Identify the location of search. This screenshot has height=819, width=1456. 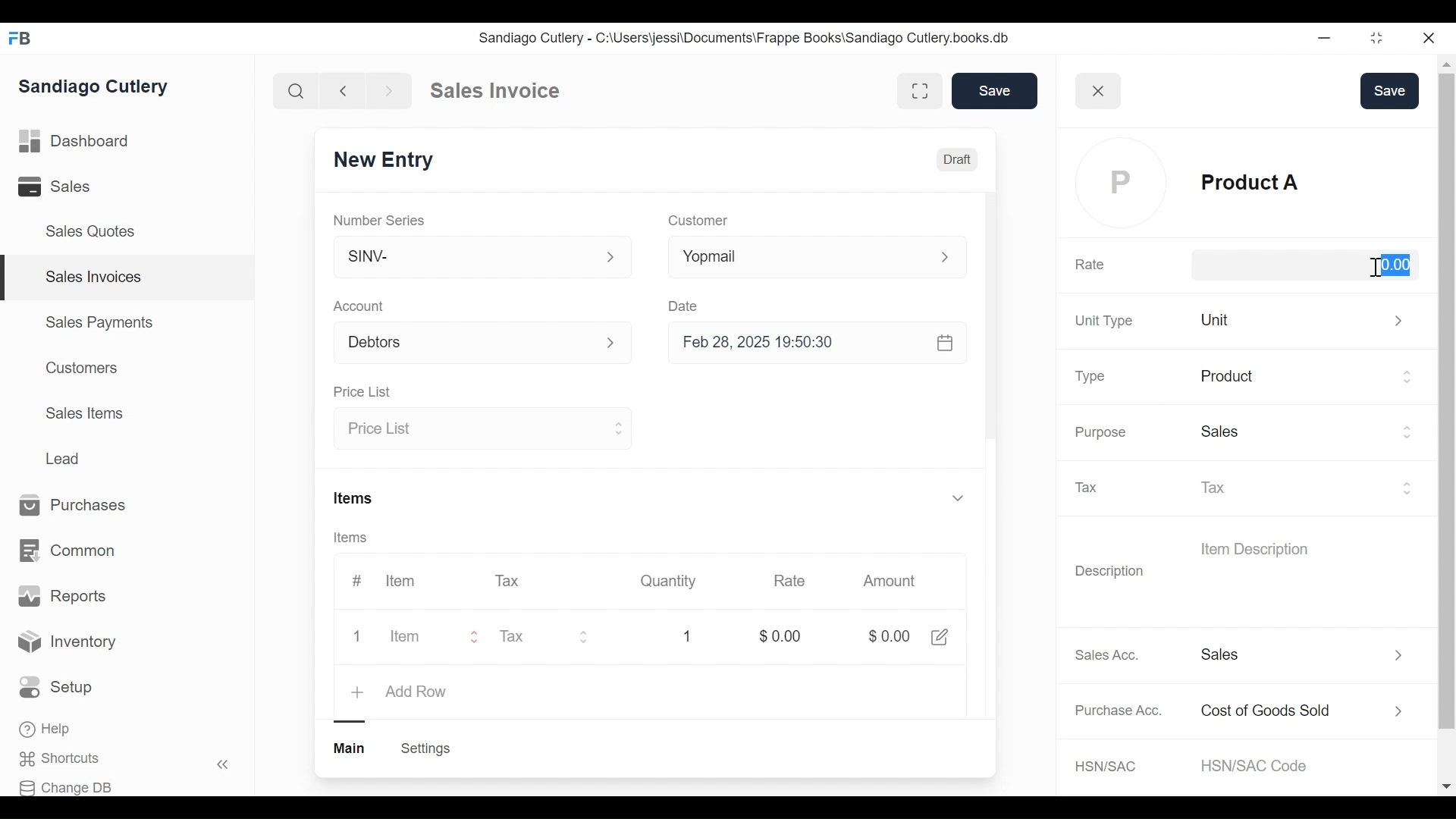
(297, 92).